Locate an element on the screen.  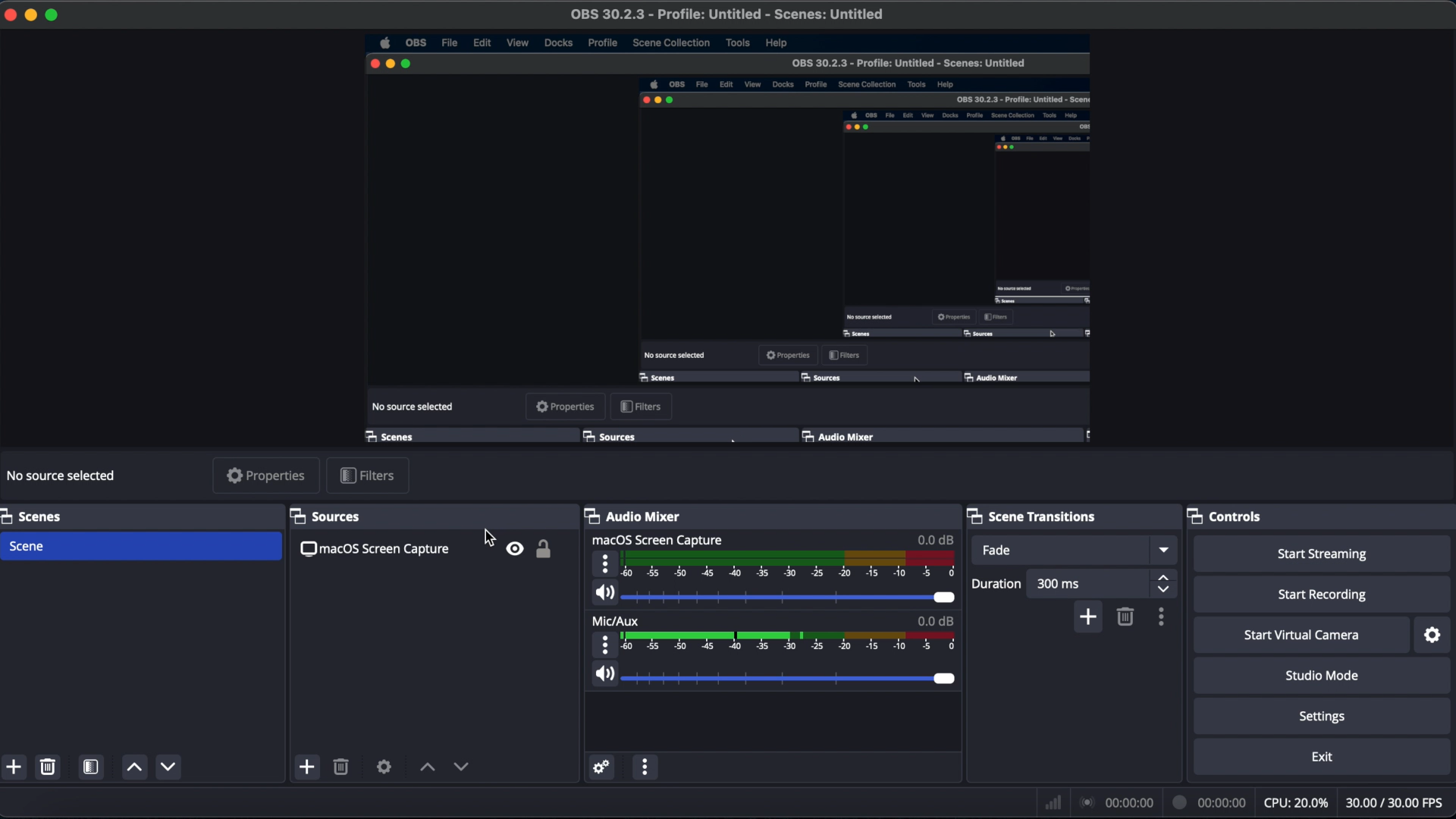
move scene down is located at coordinates (168, 766).